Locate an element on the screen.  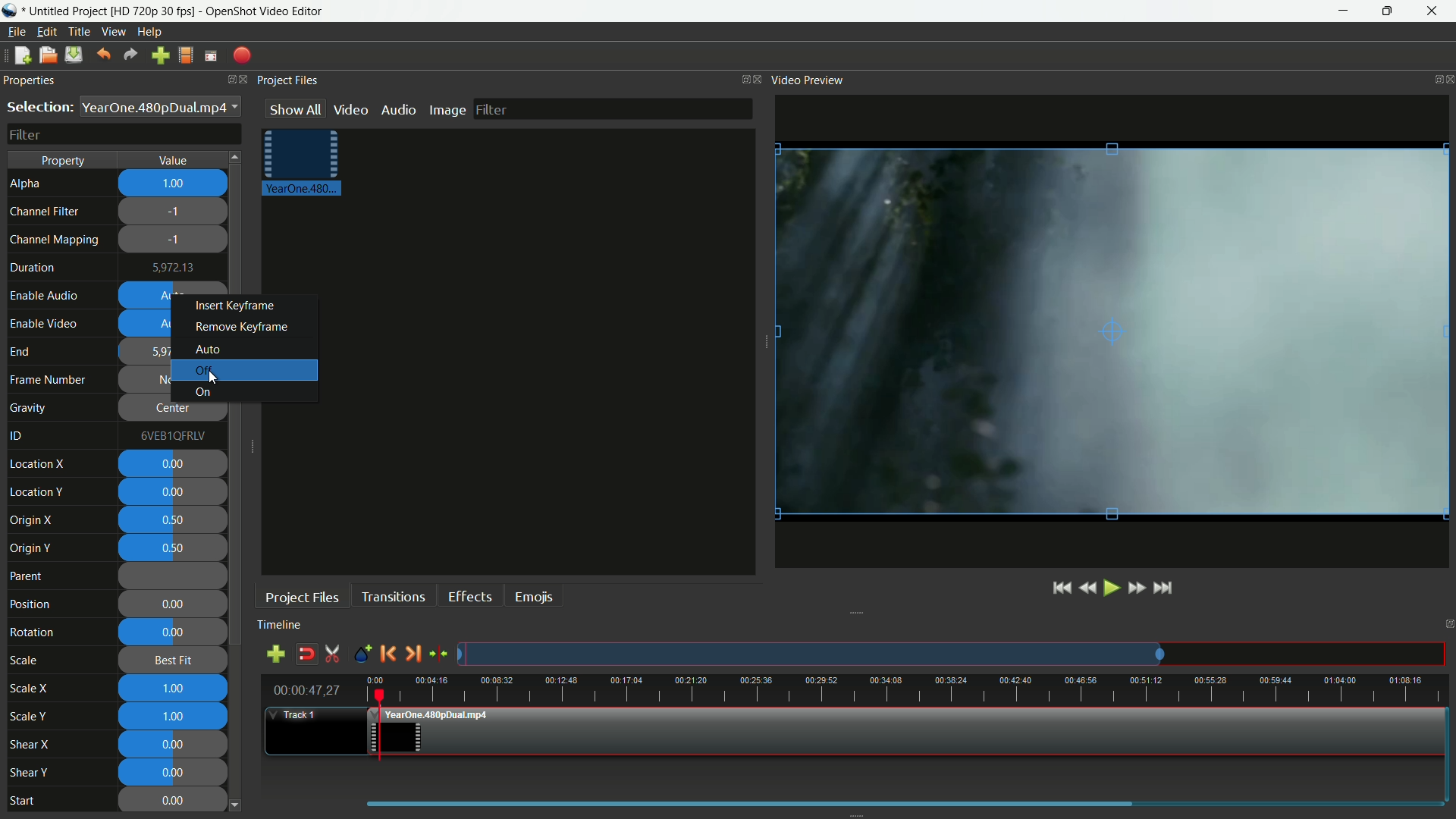
export is located at coordinates (242, 56).